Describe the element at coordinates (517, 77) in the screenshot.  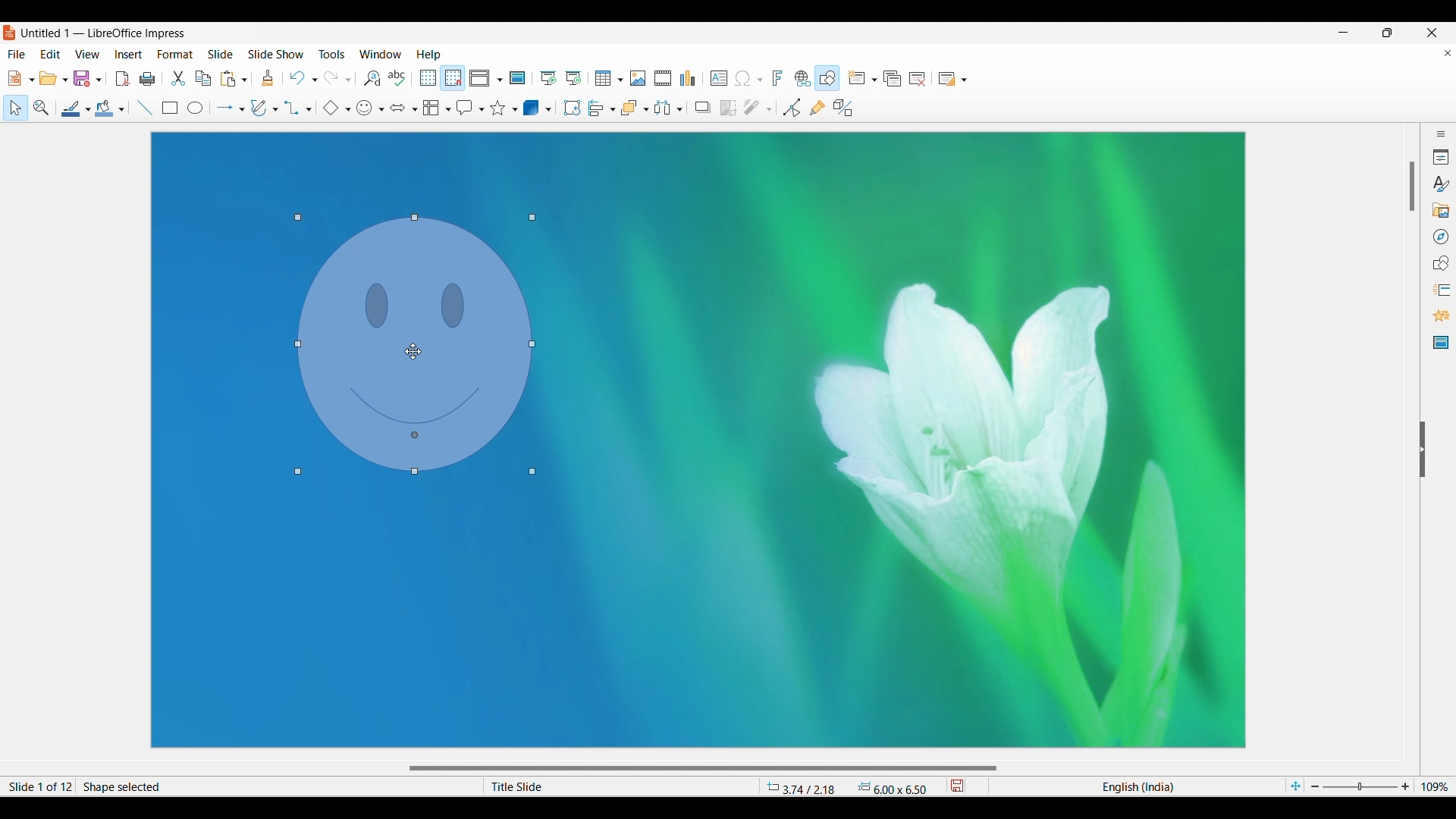
I see `Master slide` at that location.